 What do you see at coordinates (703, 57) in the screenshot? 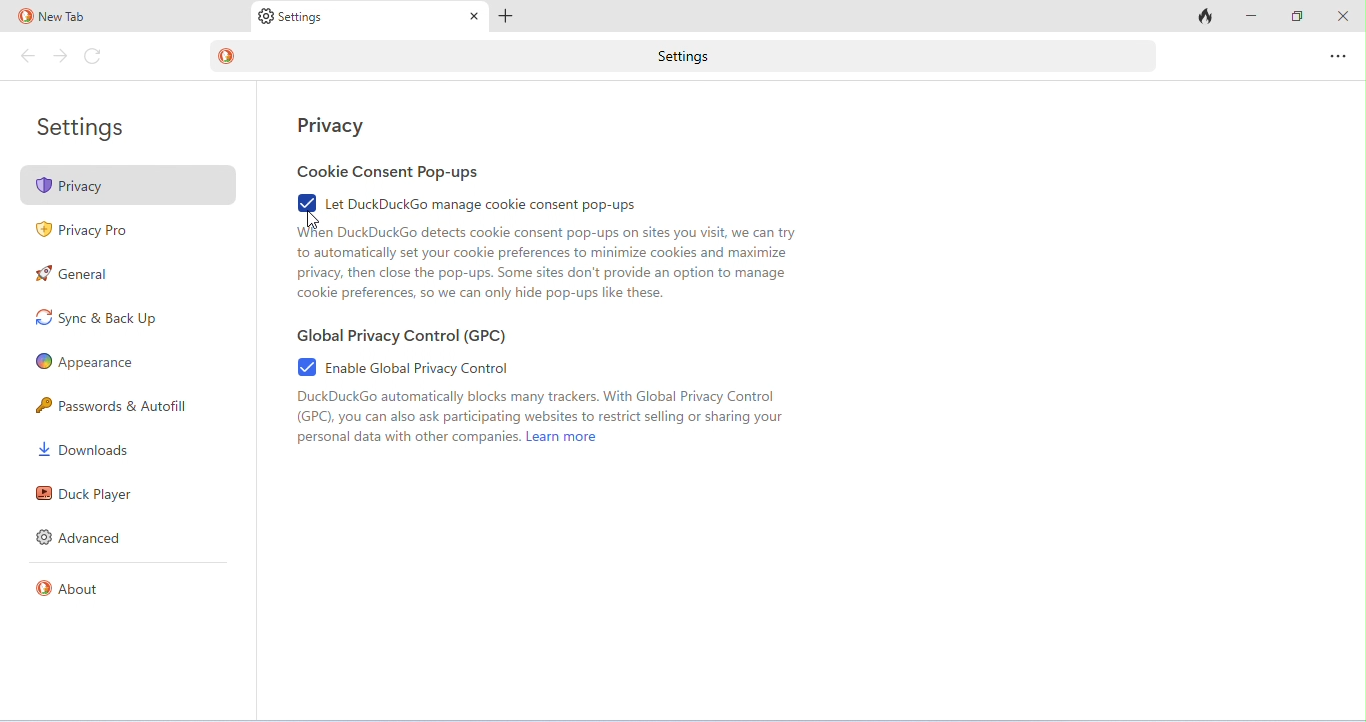
I see `settings` at bounding box center [703, 57].